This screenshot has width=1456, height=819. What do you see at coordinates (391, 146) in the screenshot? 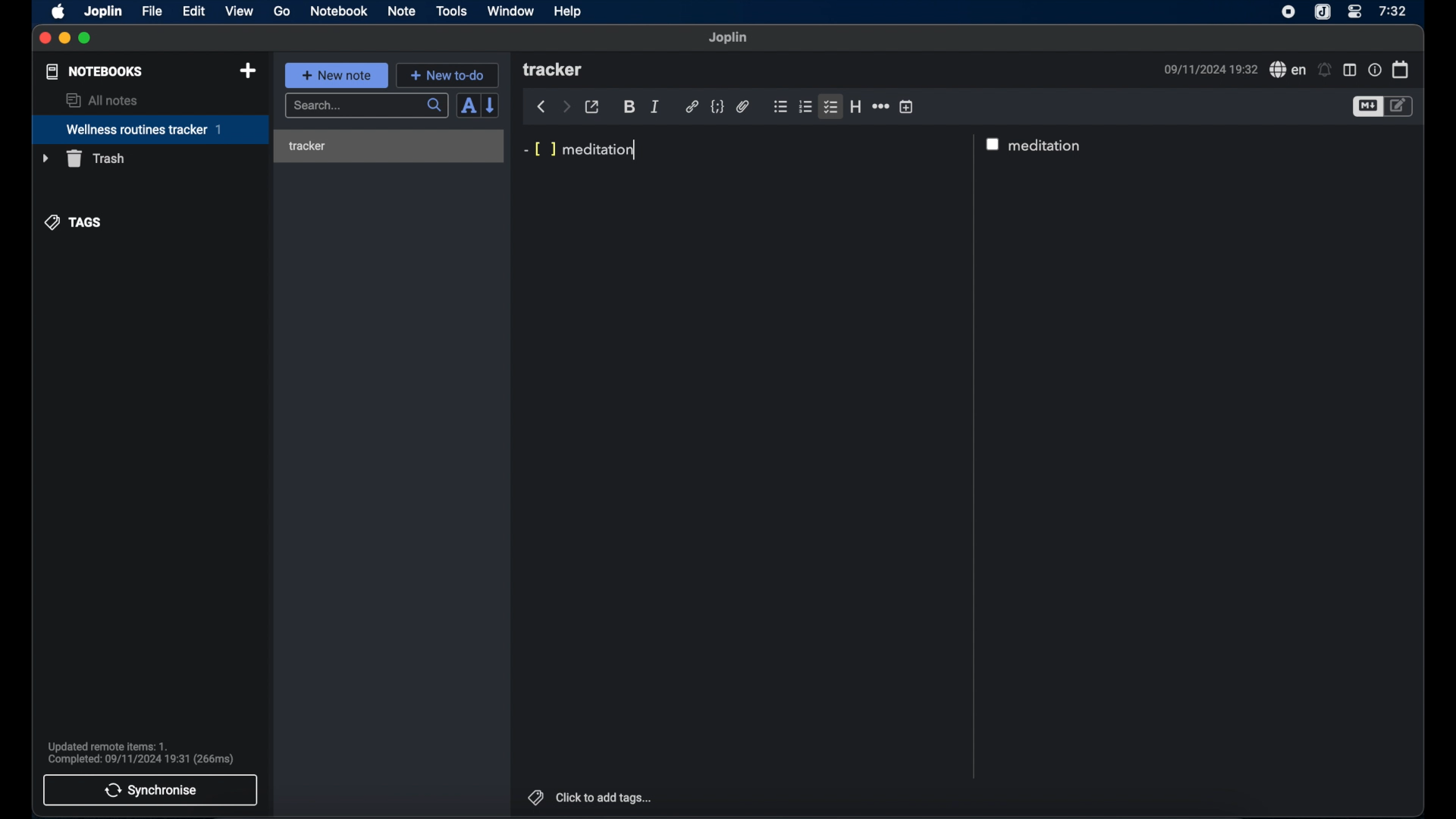
I see `tracker` at bounding box center [391, 146].